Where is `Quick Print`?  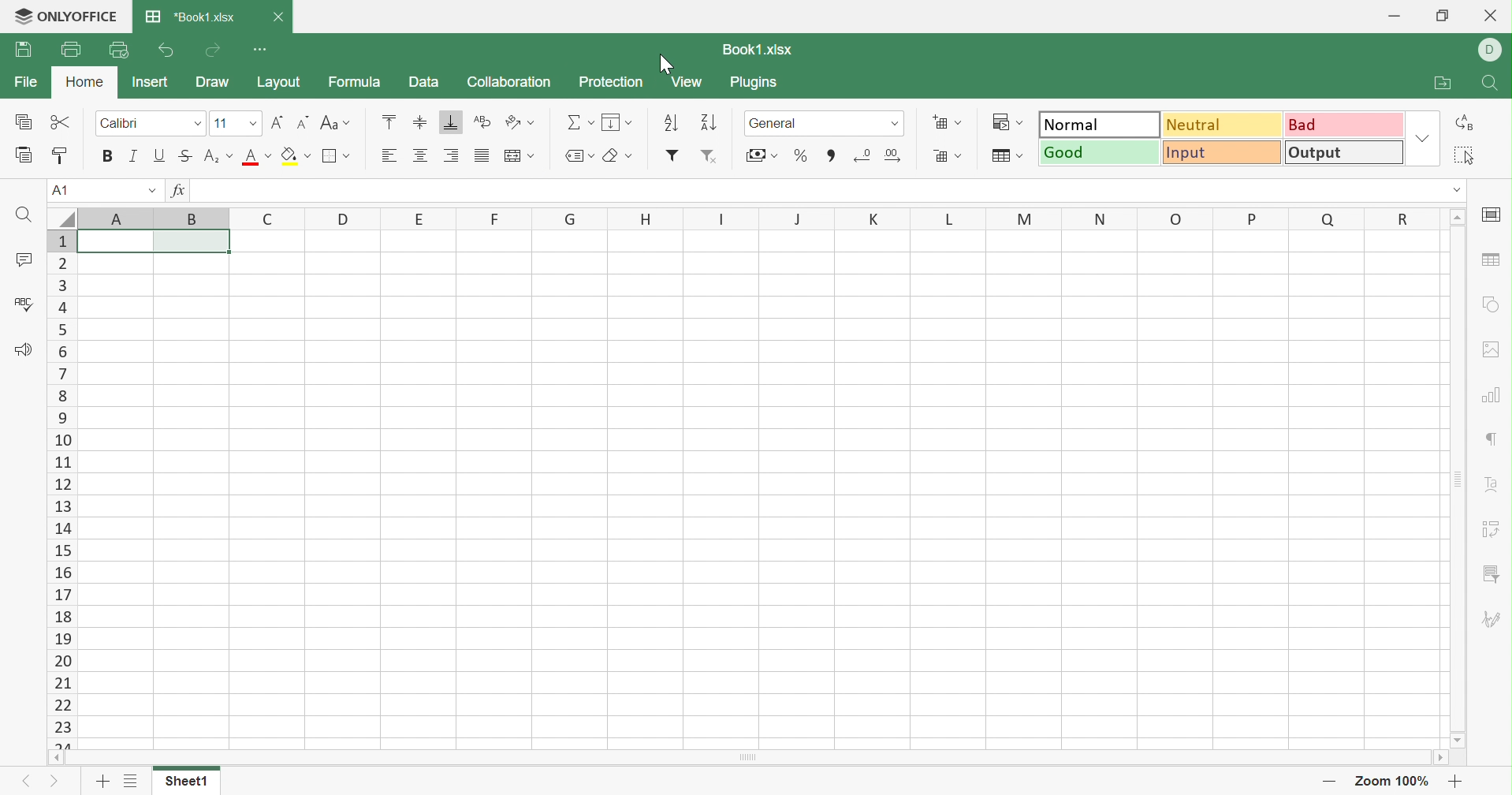 Quick Print is located at coordinates (116, 49).